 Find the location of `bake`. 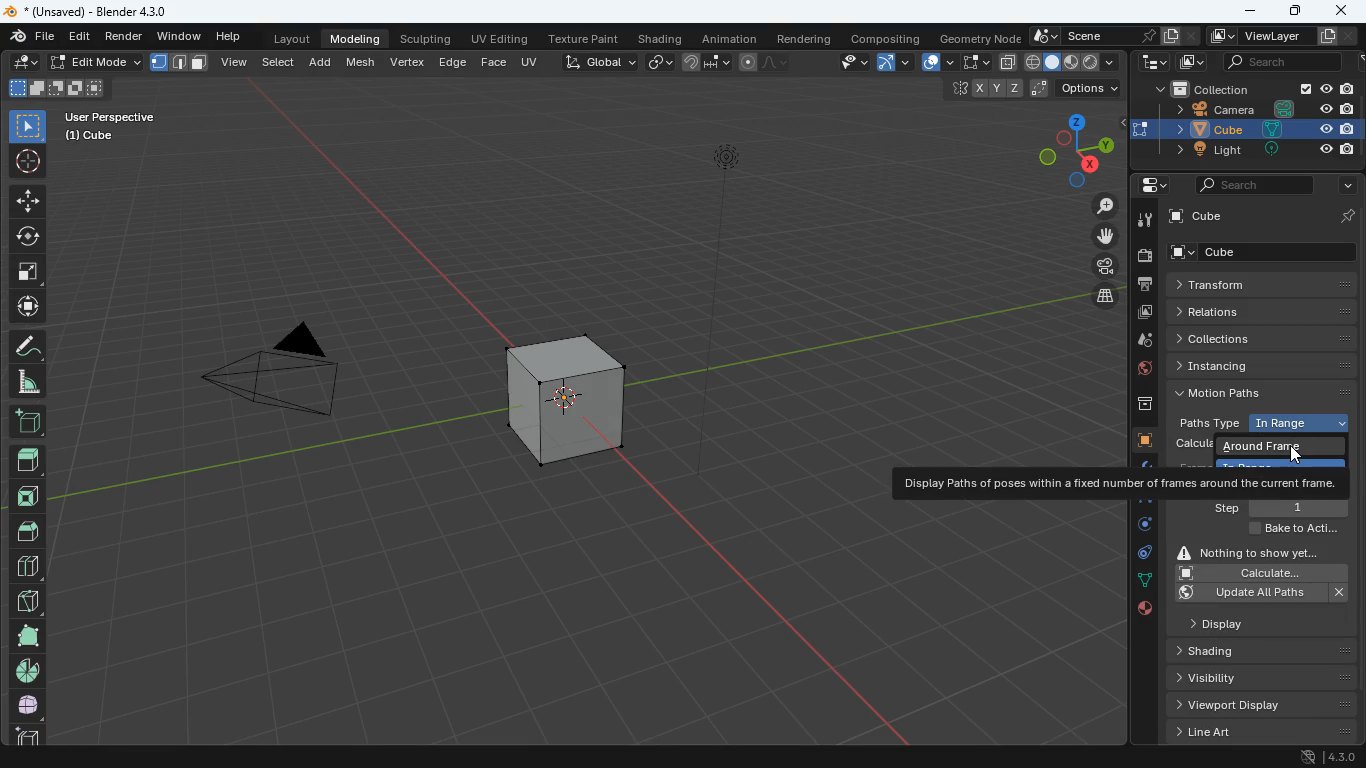

bake is located at coordinates (1289, 530).